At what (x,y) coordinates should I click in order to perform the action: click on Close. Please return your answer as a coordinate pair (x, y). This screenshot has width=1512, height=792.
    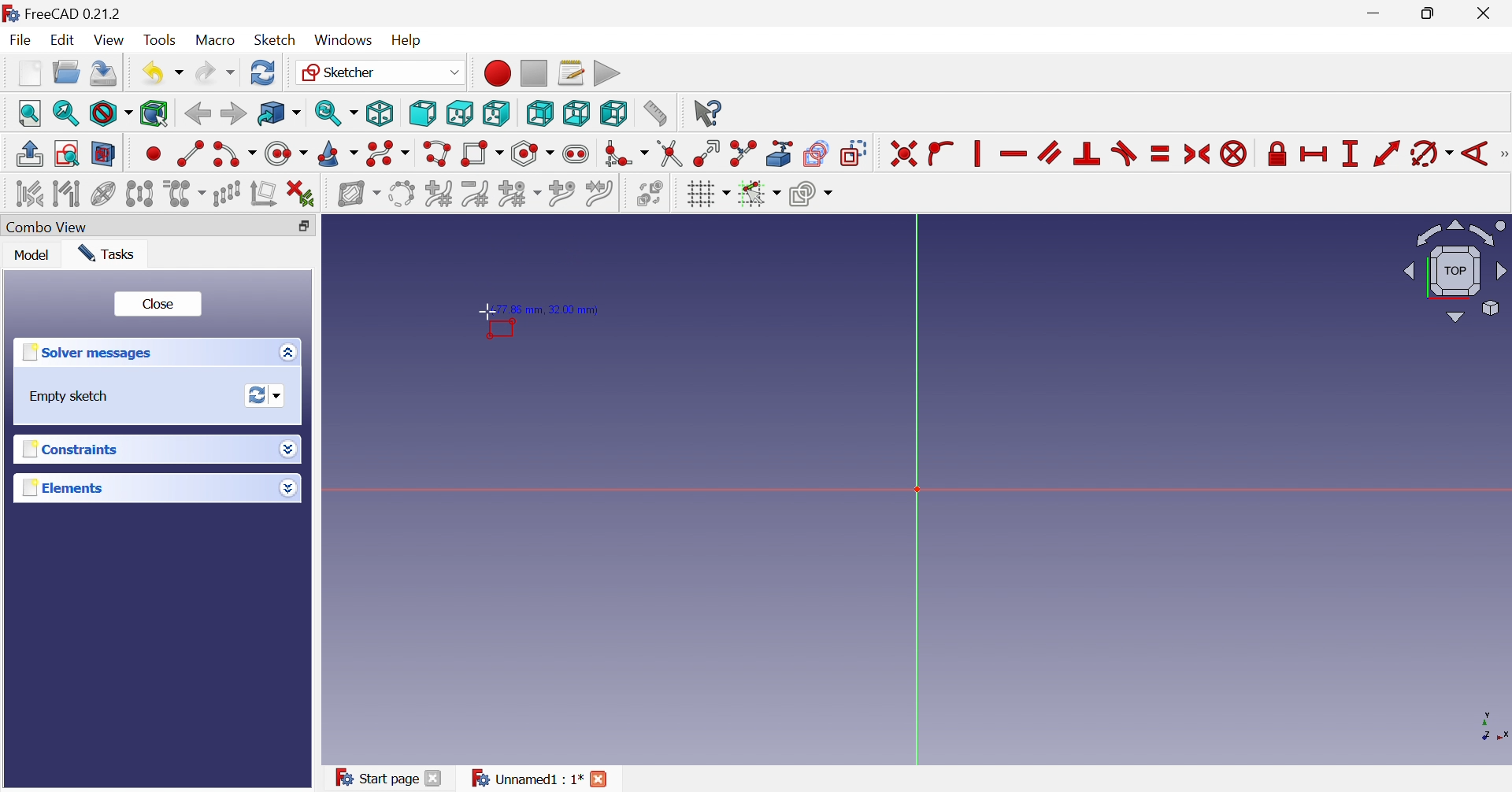
    Looking at the image, I should click on (434, 778).